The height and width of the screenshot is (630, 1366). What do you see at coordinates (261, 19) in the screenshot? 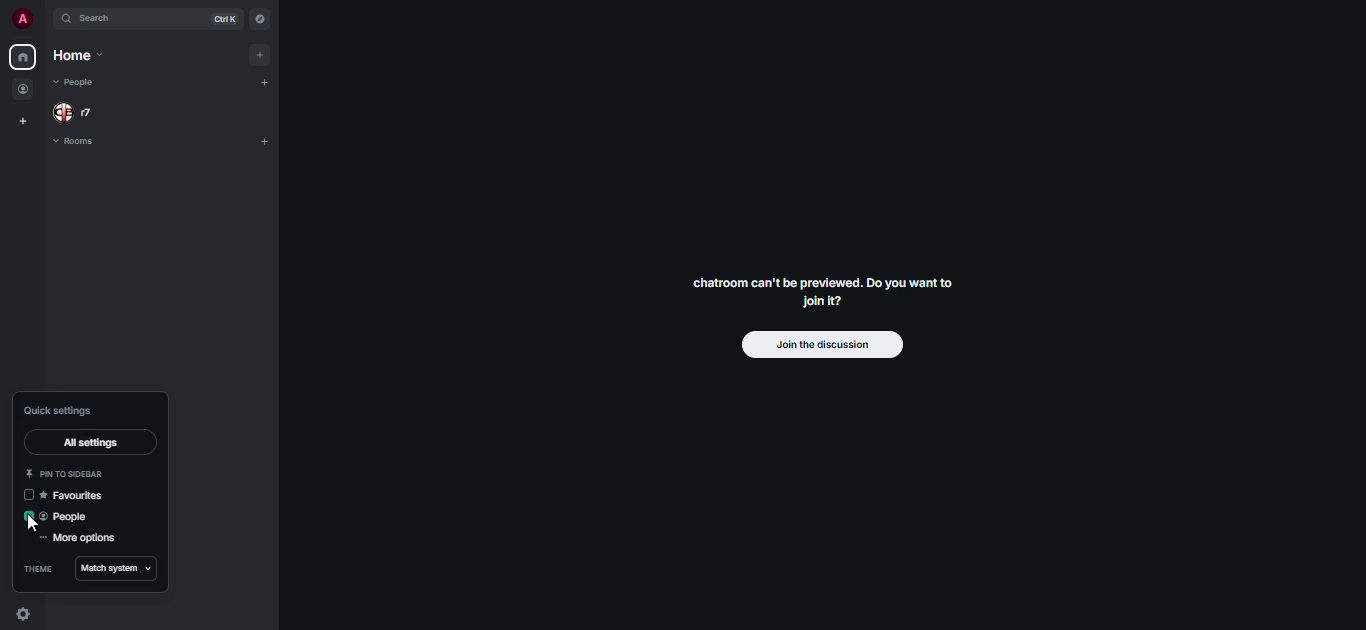
I see `navigator` at bounding box center [261, 19].